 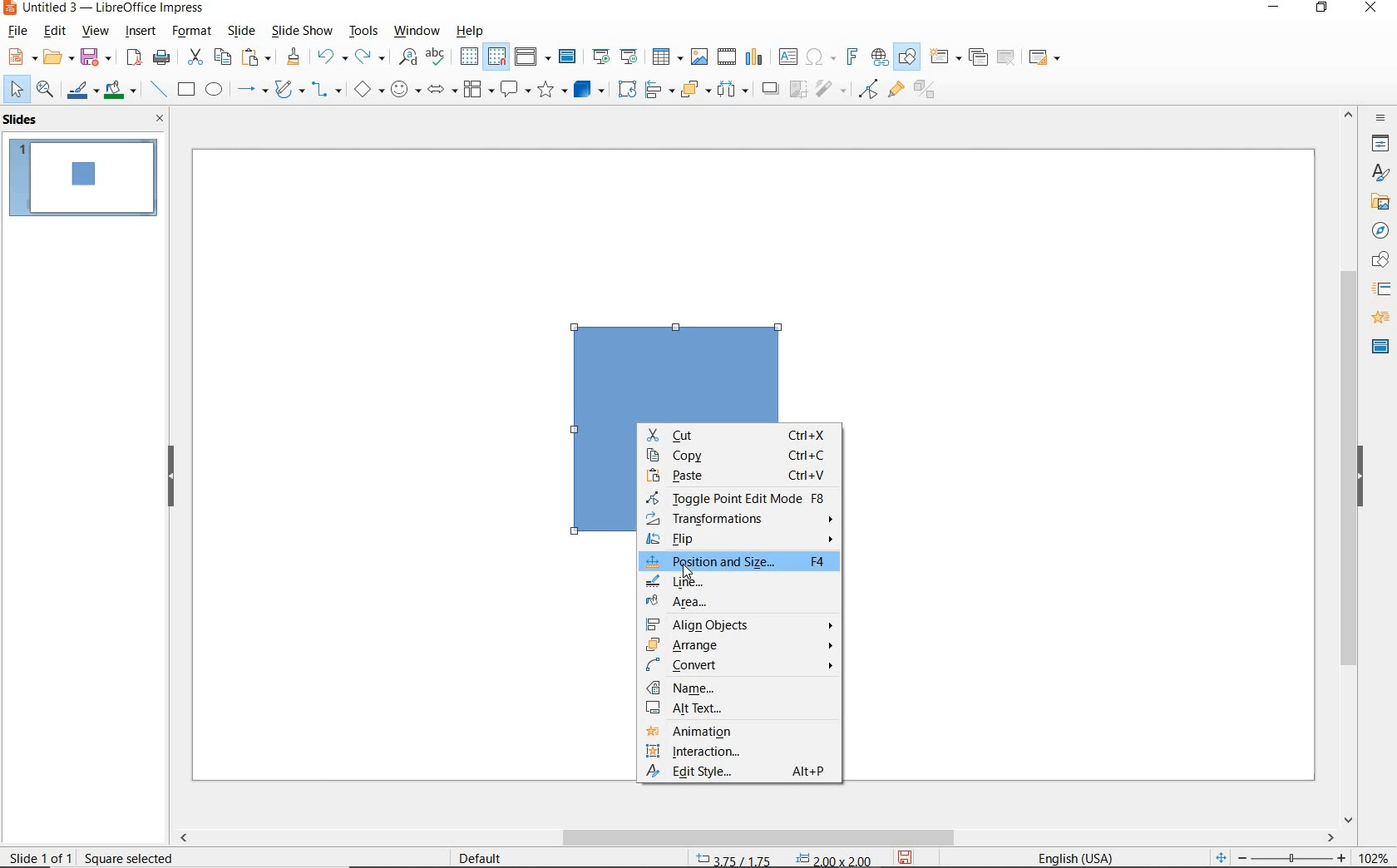 I want to click on slides, so click(x=23, y=121).